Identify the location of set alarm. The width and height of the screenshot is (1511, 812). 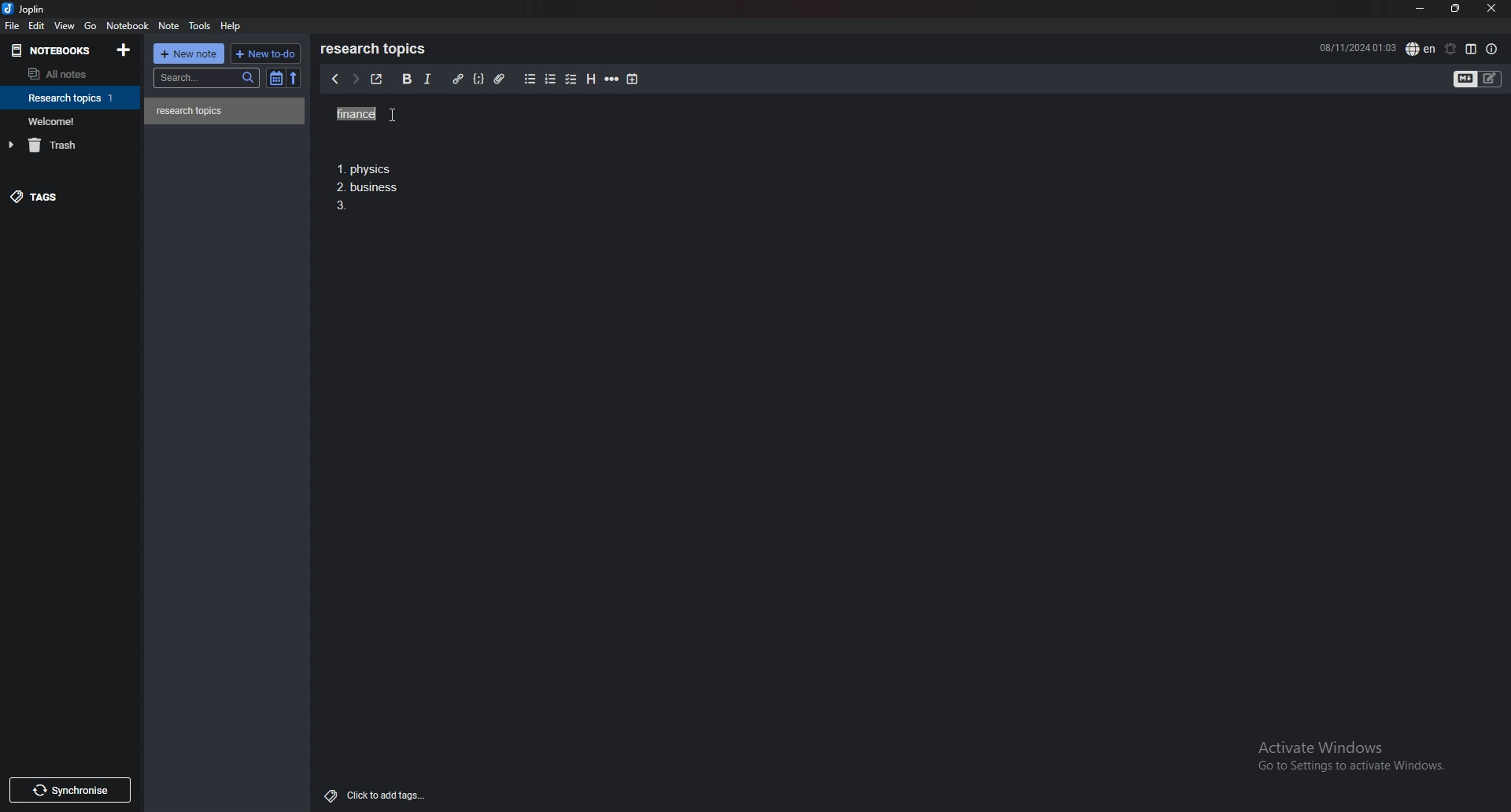
(1449, 49).